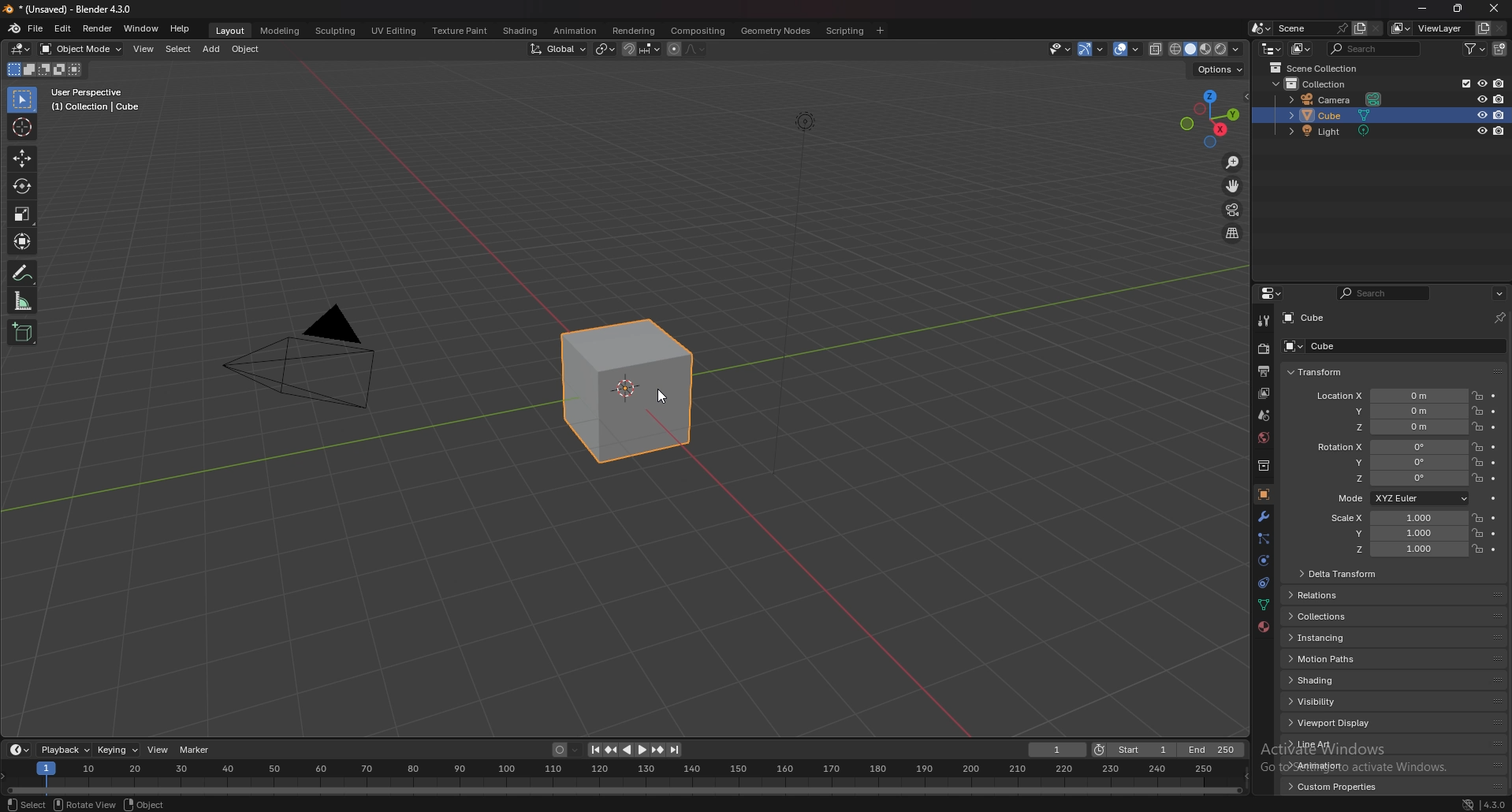  Describe the element at coordinates (1264, 517) in the screenshot. I see `modifier` at that location.